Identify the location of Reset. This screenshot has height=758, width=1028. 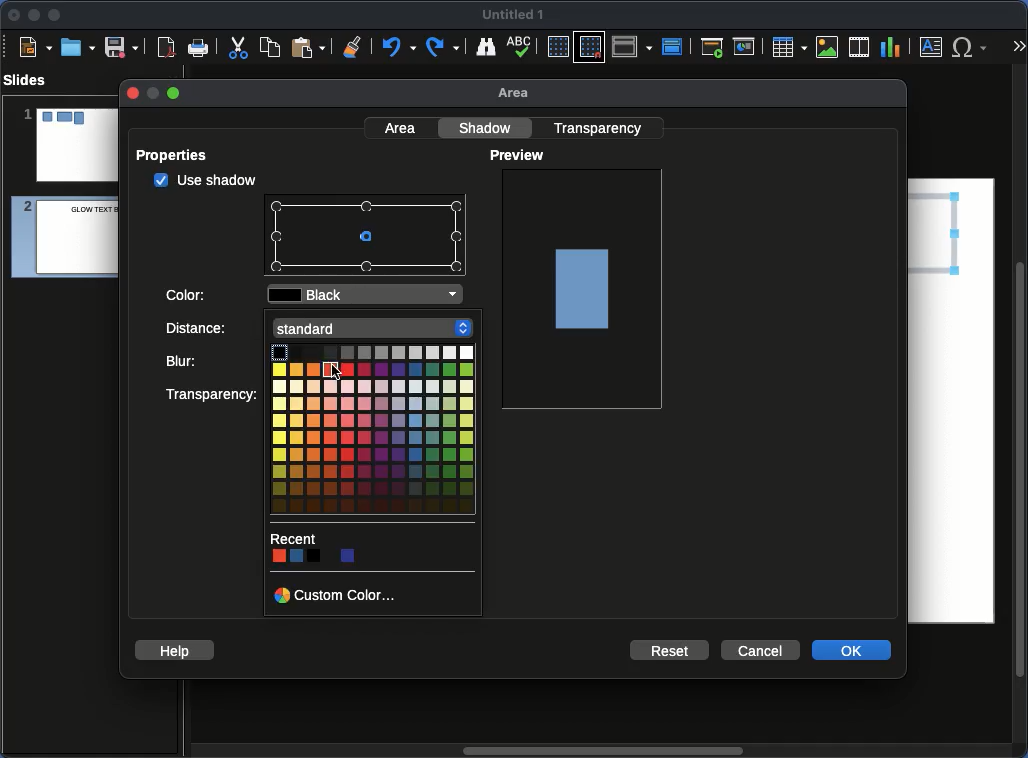
(671, 649).